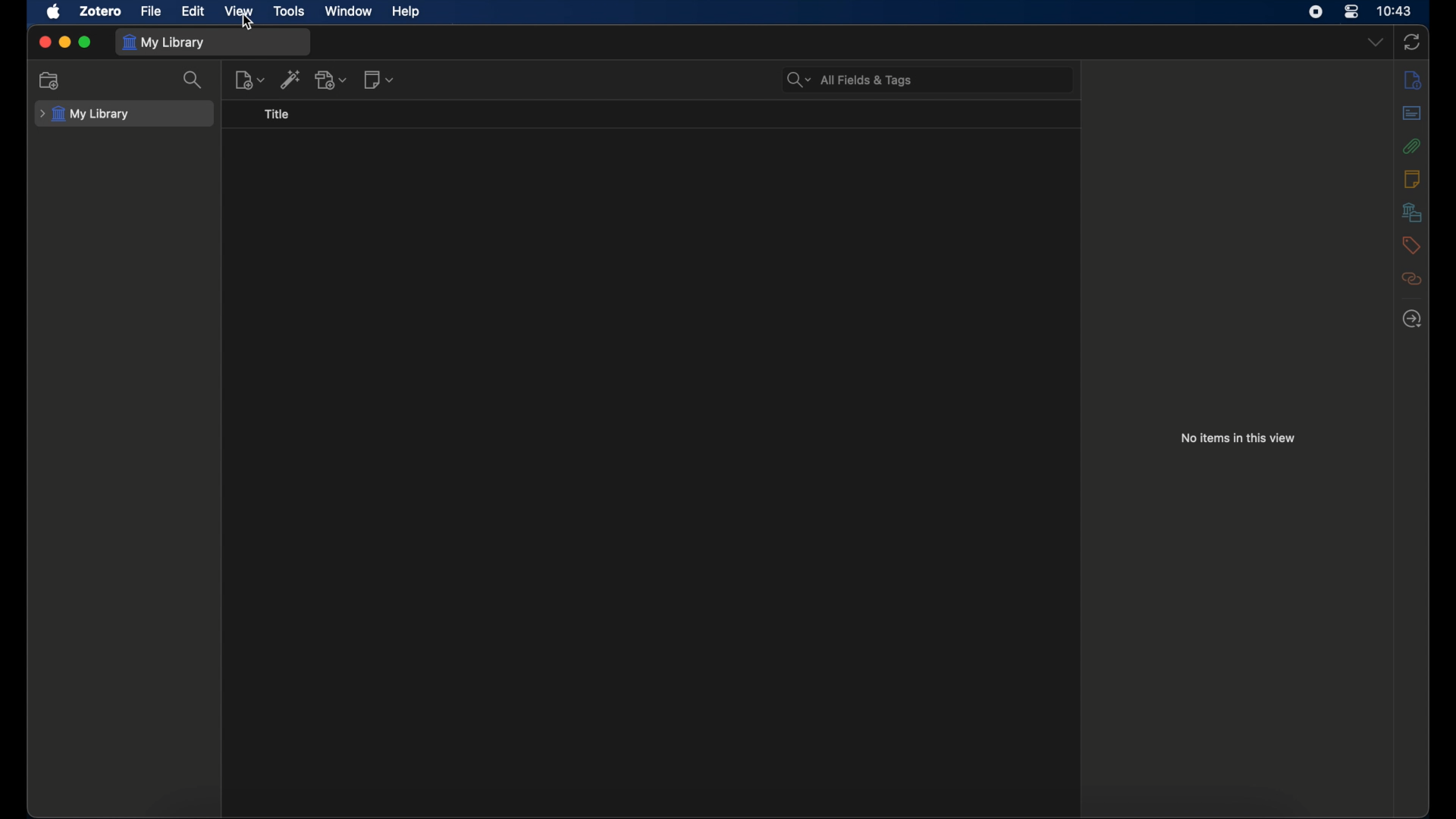 The width and height of the screenshot is (1456, 819). Describe the element at coordinates (86, 42) in the screenshot. I see `maximize` at that location.